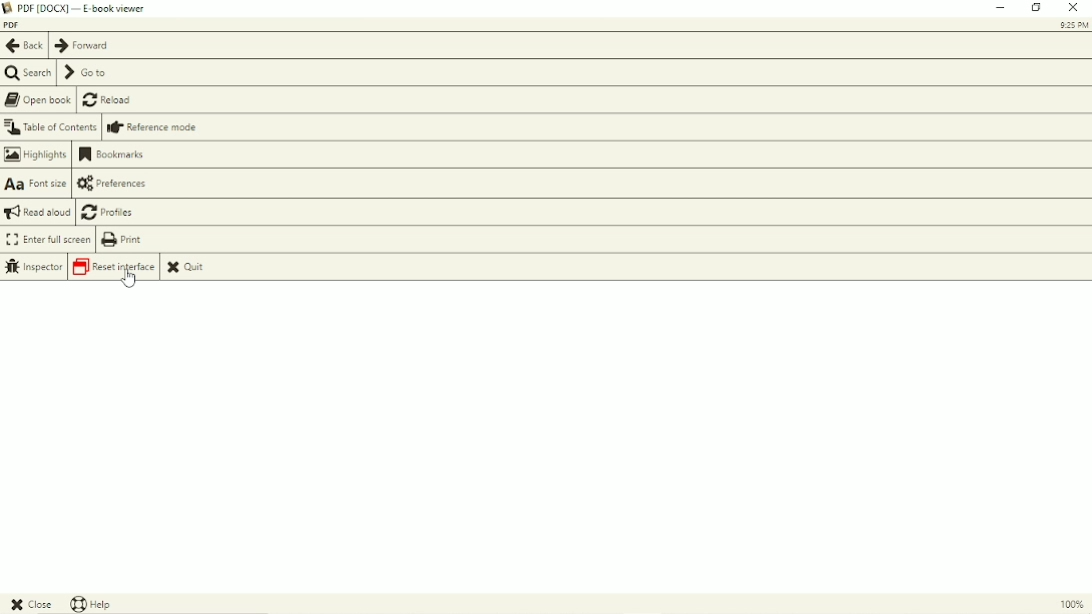  I want to click on Close, so click(1074, 8).